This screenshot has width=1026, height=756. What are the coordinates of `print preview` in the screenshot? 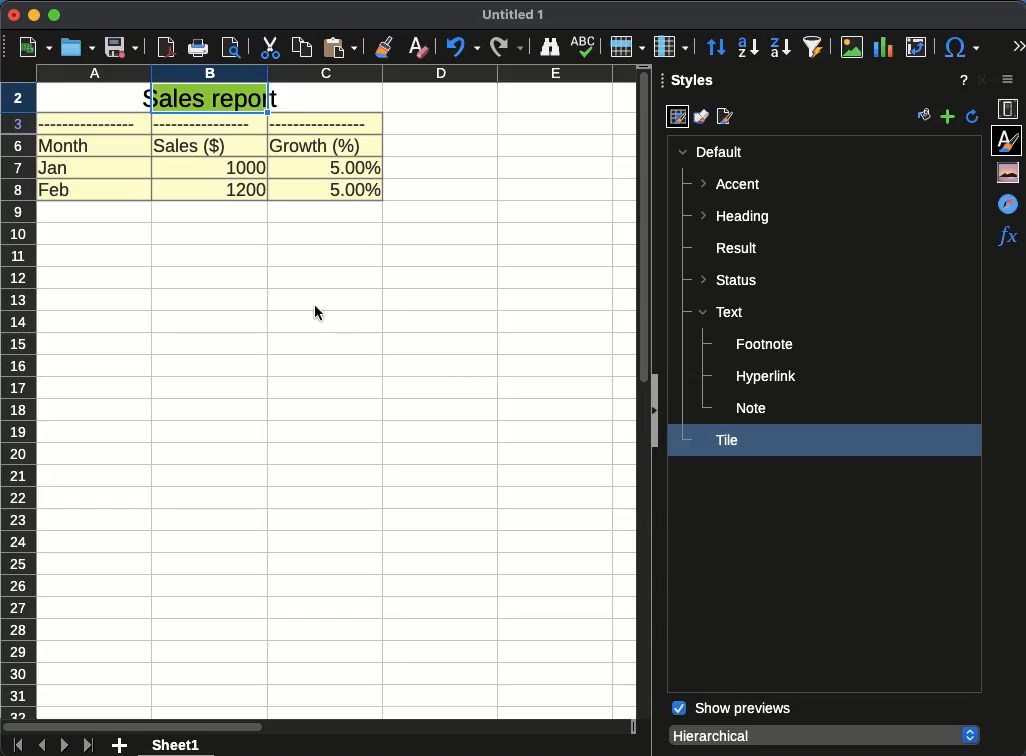 It's located at (232, 47).